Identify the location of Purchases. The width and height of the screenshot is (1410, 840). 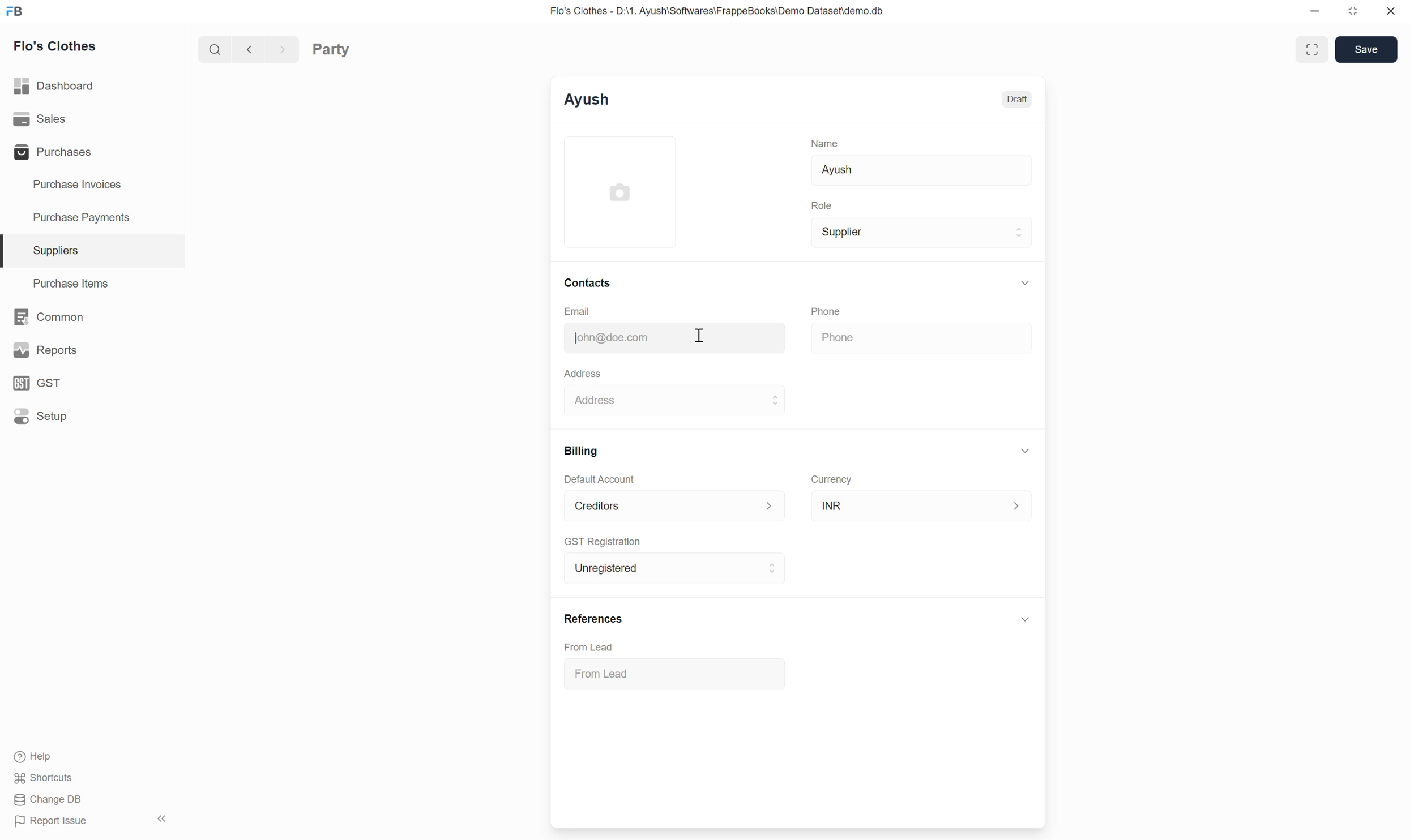
(91, 152).